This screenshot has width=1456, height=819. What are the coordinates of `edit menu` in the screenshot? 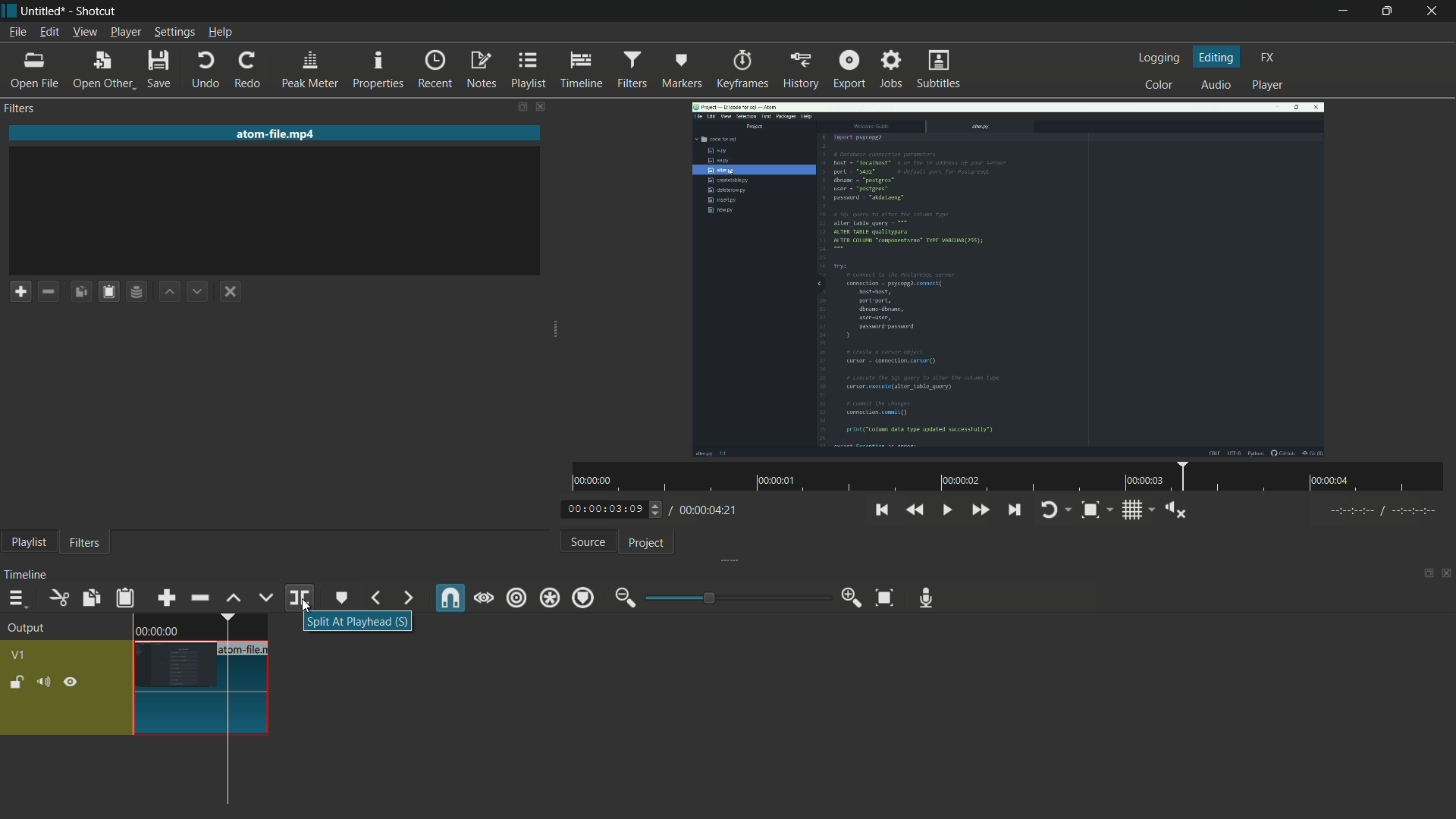 It's located at (49, 33).